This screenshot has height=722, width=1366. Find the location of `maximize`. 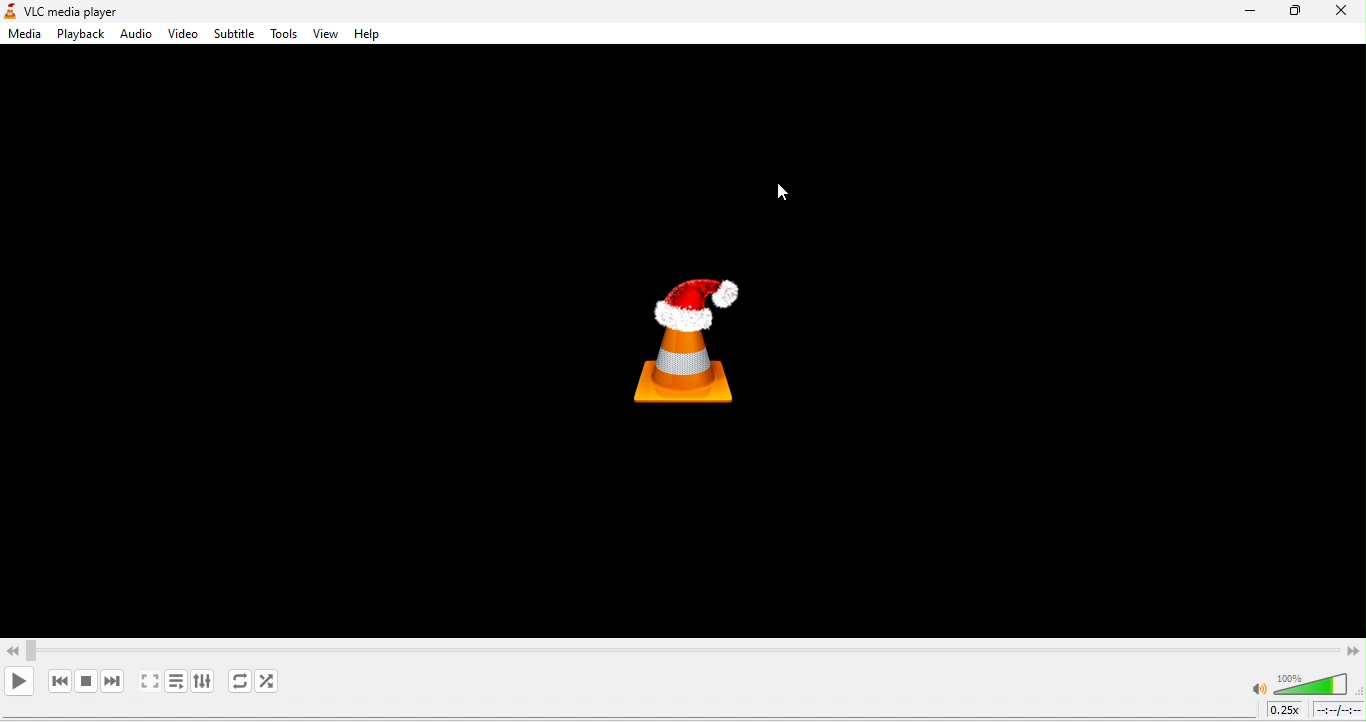

maximize is located at coordinates (1300, 13).